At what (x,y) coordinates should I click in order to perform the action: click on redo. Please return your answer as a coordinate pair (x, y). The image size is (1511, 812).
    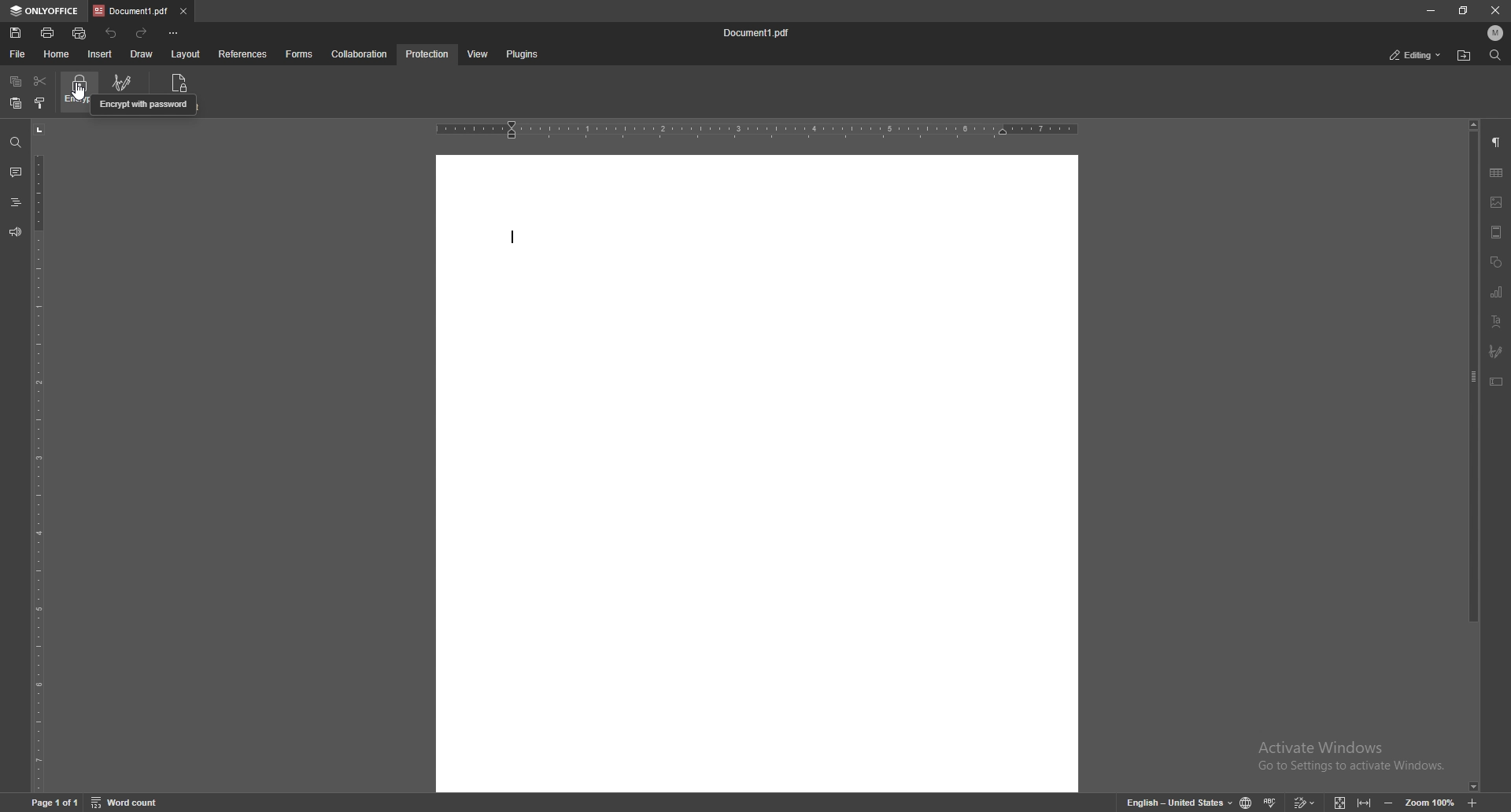
    Looking at the image, I should click on (144, 34).